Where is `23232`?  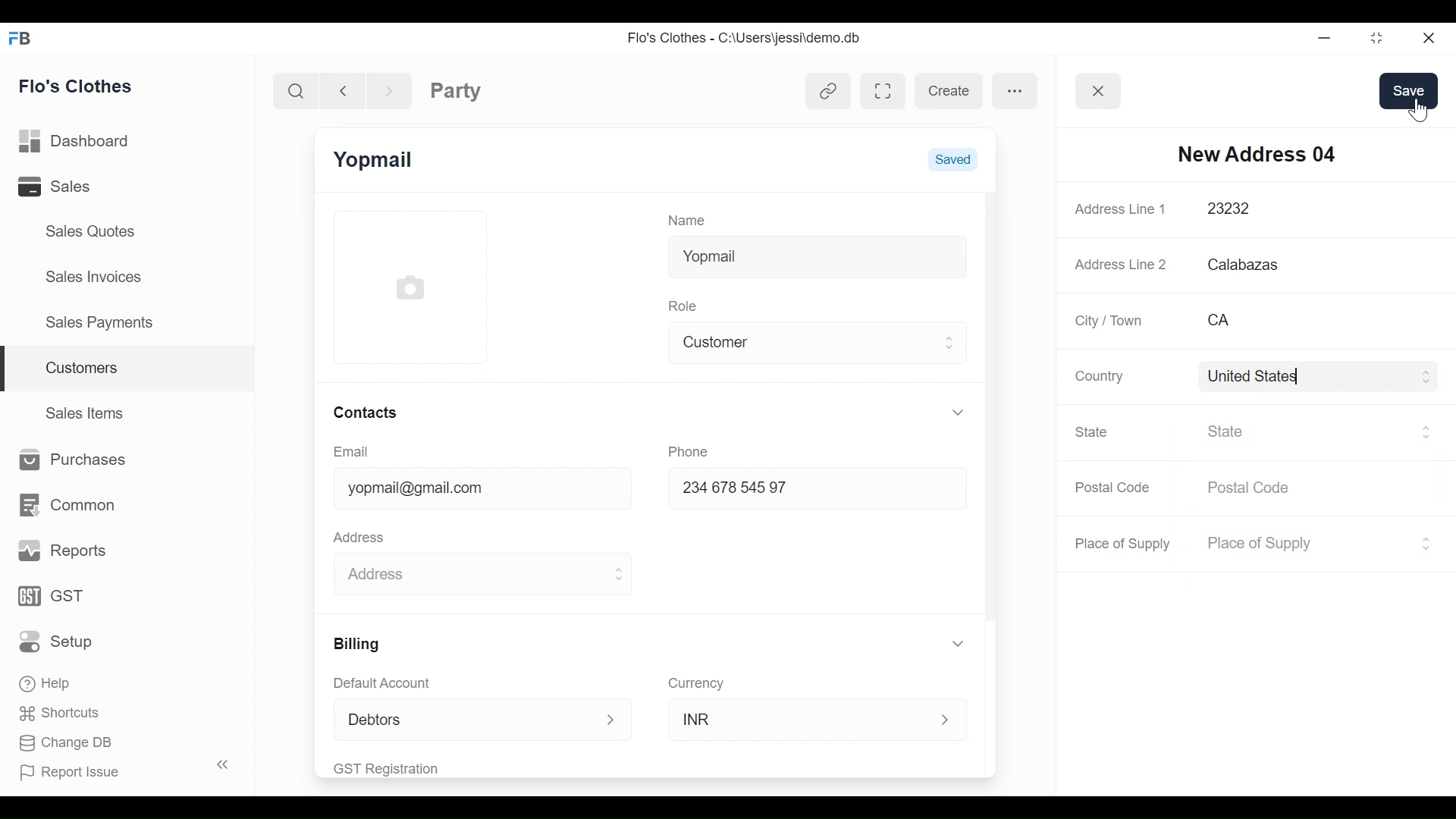
23232 is located at coordinates (1302, 209).